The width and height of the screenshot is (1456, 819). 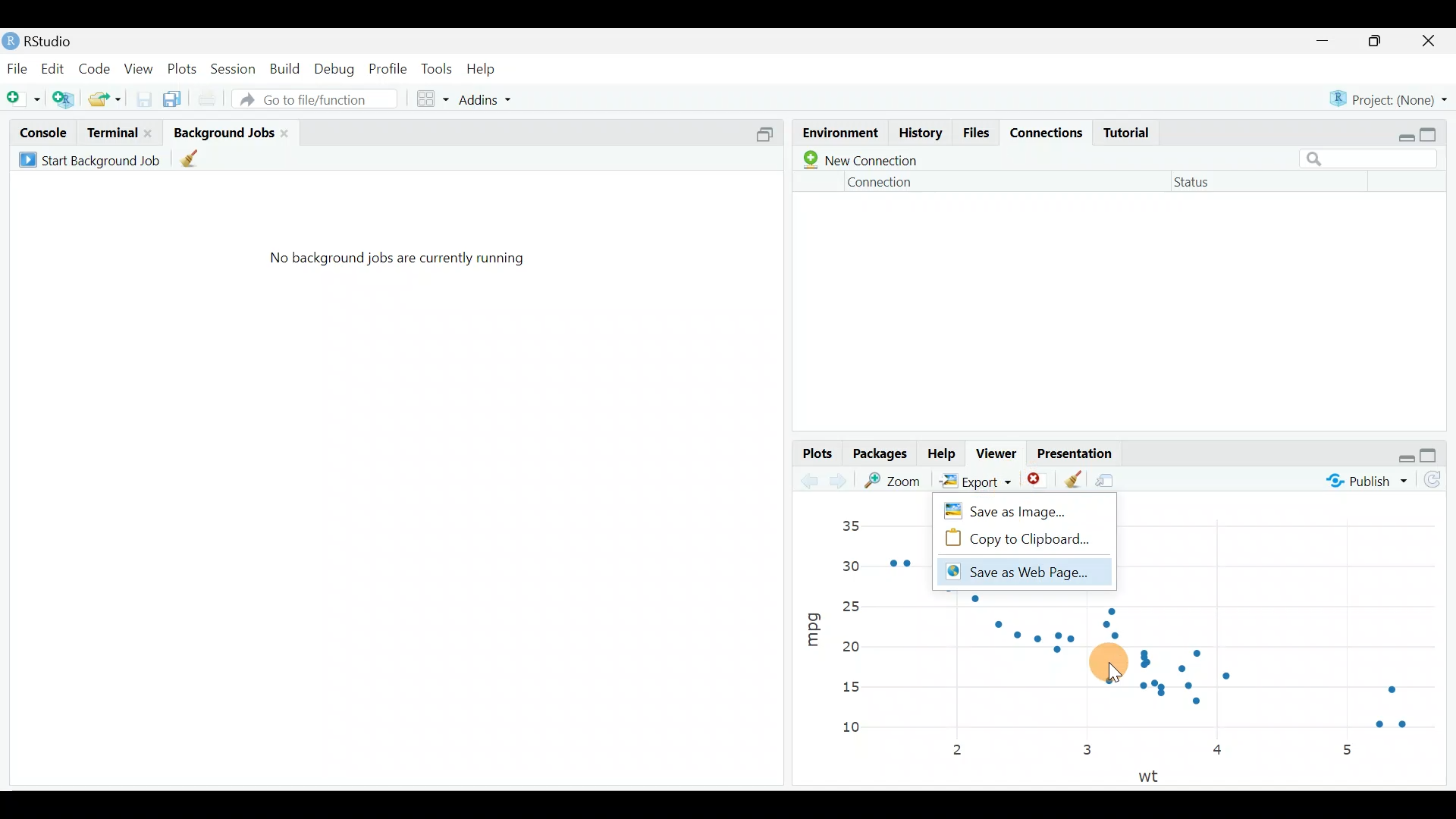 What do you see at coordinates (920, 135) in the screenshot?
I see `History` at bounding box center [920, 135].